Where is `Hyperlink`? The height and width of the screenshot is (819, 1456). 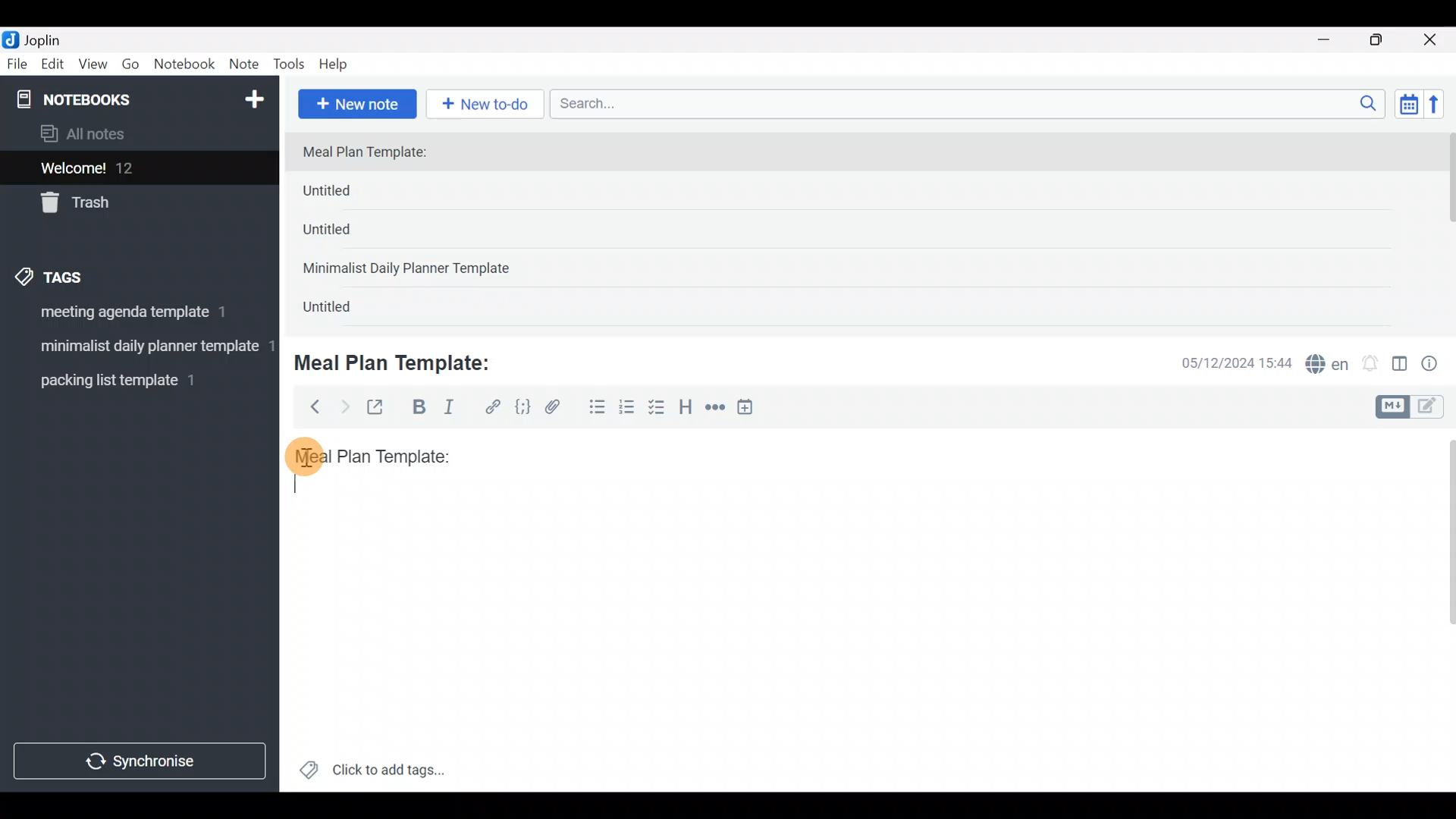 Hyperlink is located at coordinates (493, 407).